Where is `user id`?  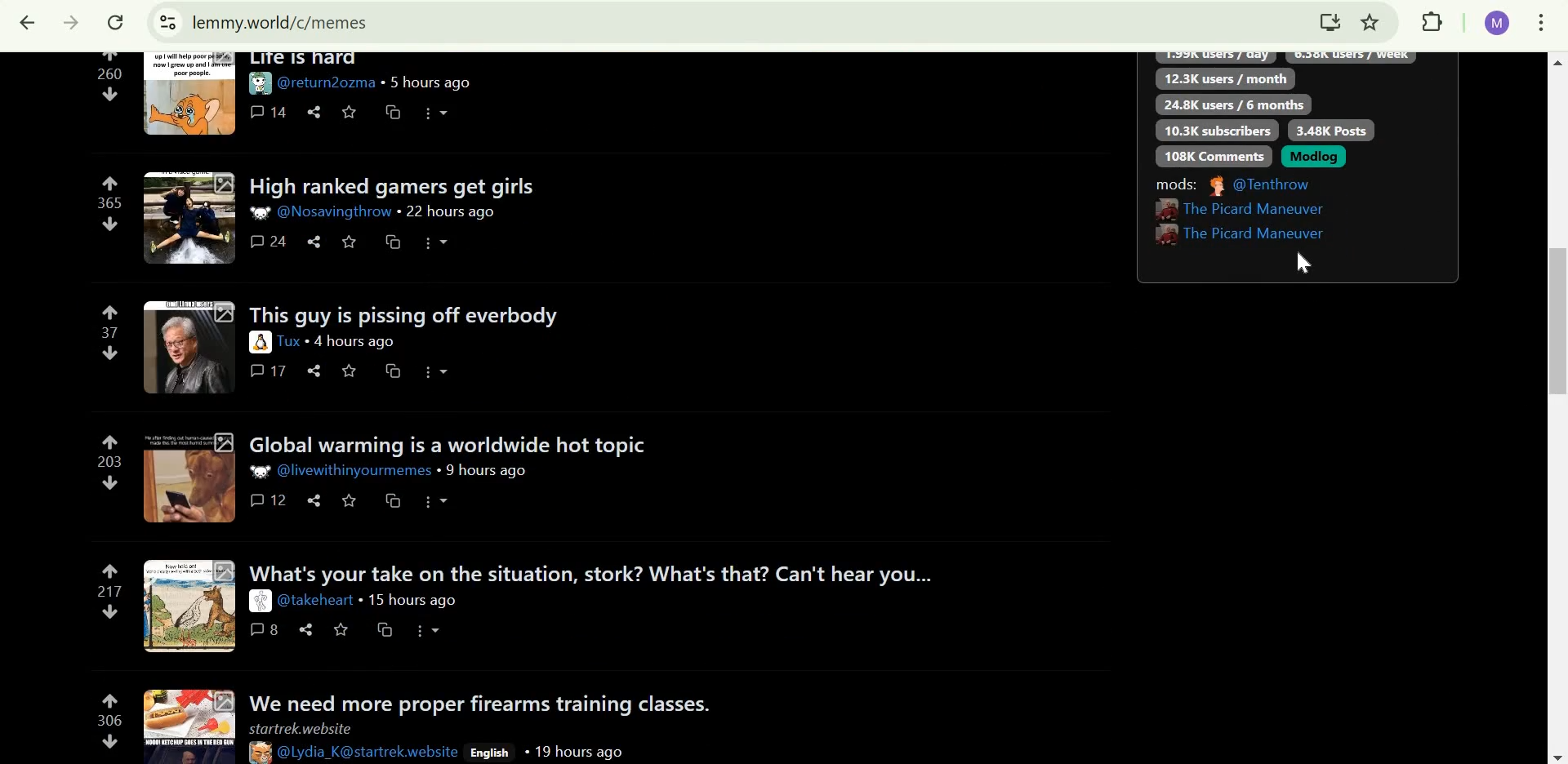
user id is located at coordinates (354, 471).